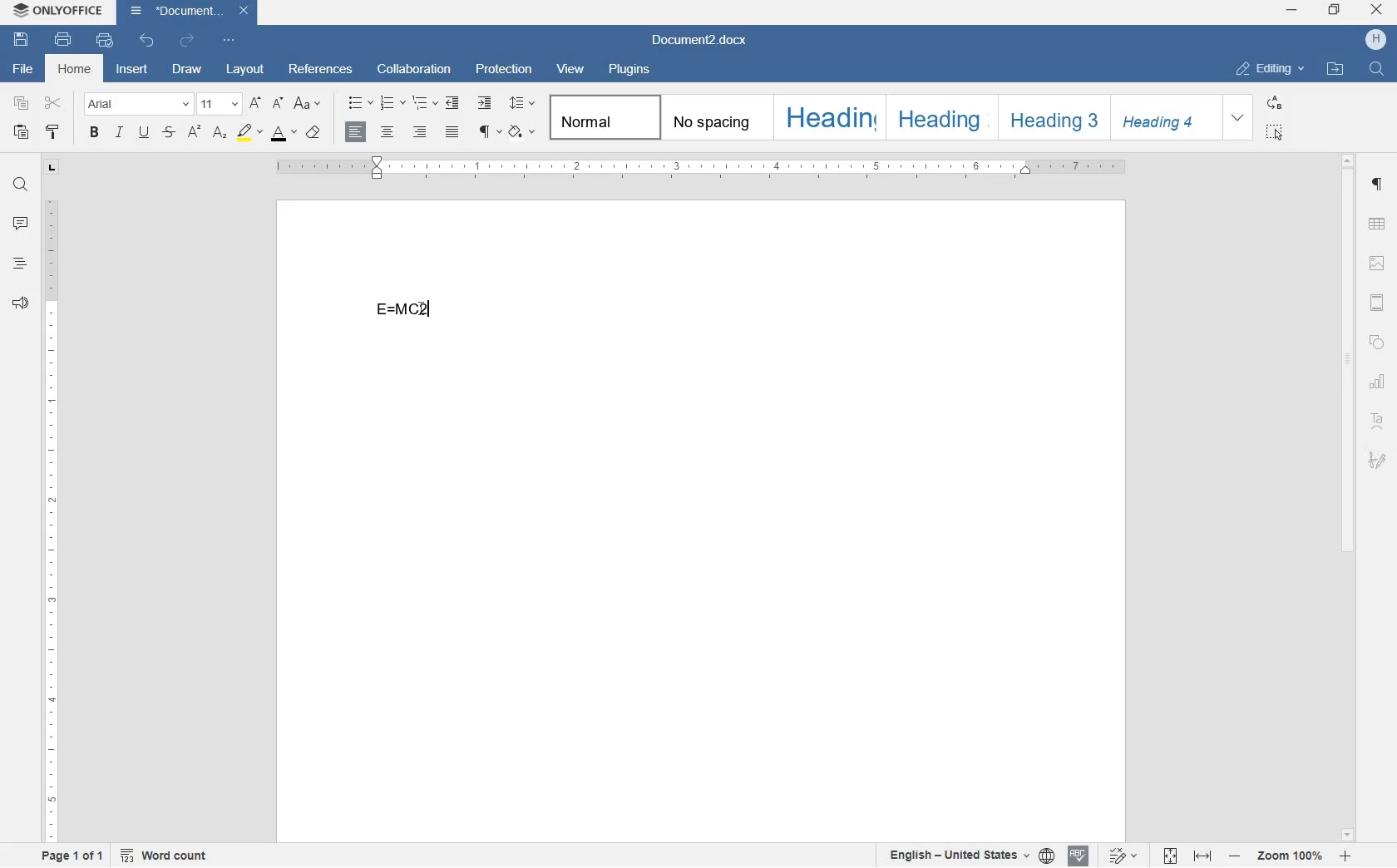 The image size is (1397, 868). What do you see at coordinates (63, 41) in the screenshot?
I see `print` at bounding box center [63, 41].